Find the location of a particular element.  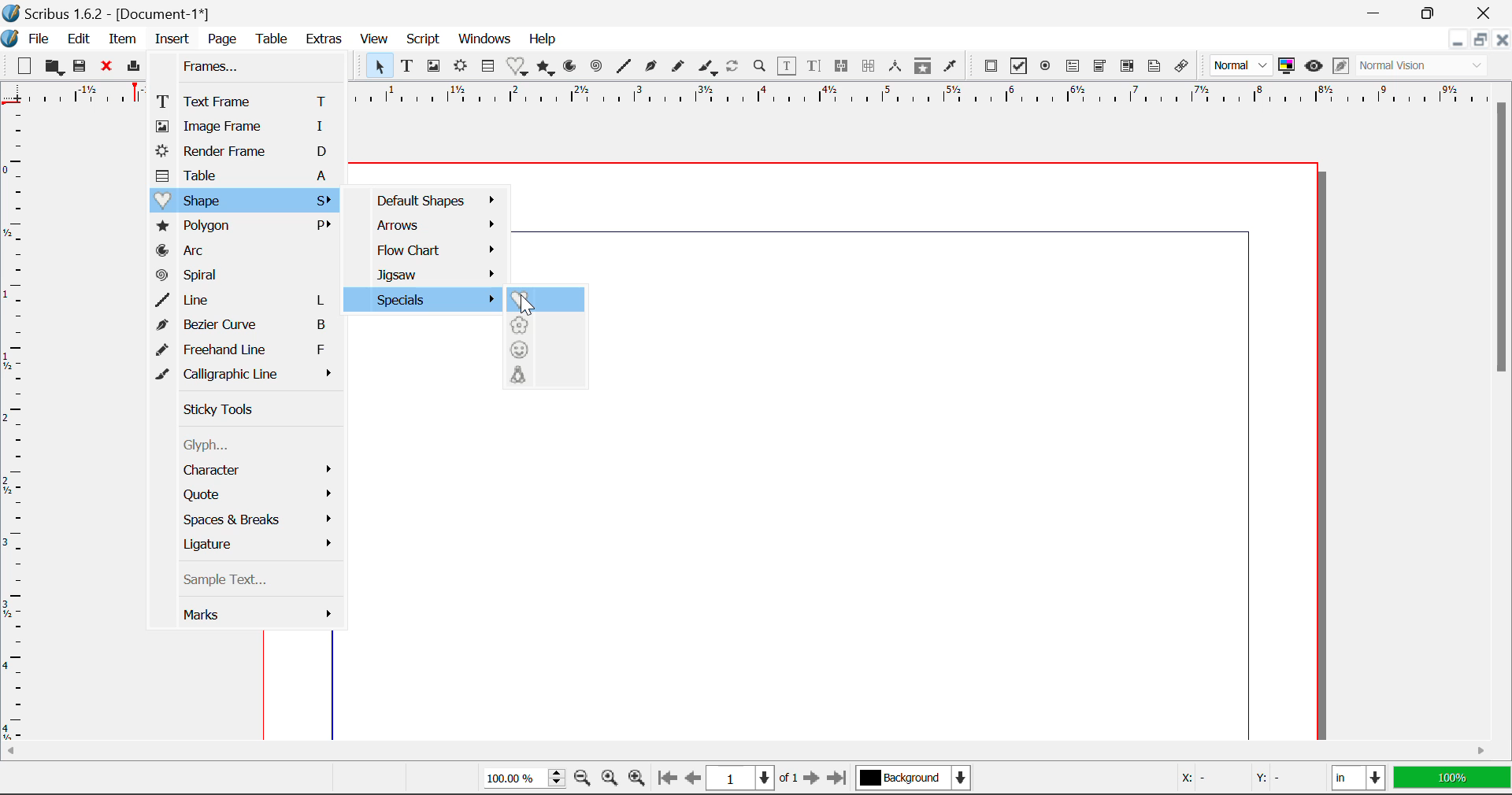

Eyedropper is located at coordinates (951, 66).